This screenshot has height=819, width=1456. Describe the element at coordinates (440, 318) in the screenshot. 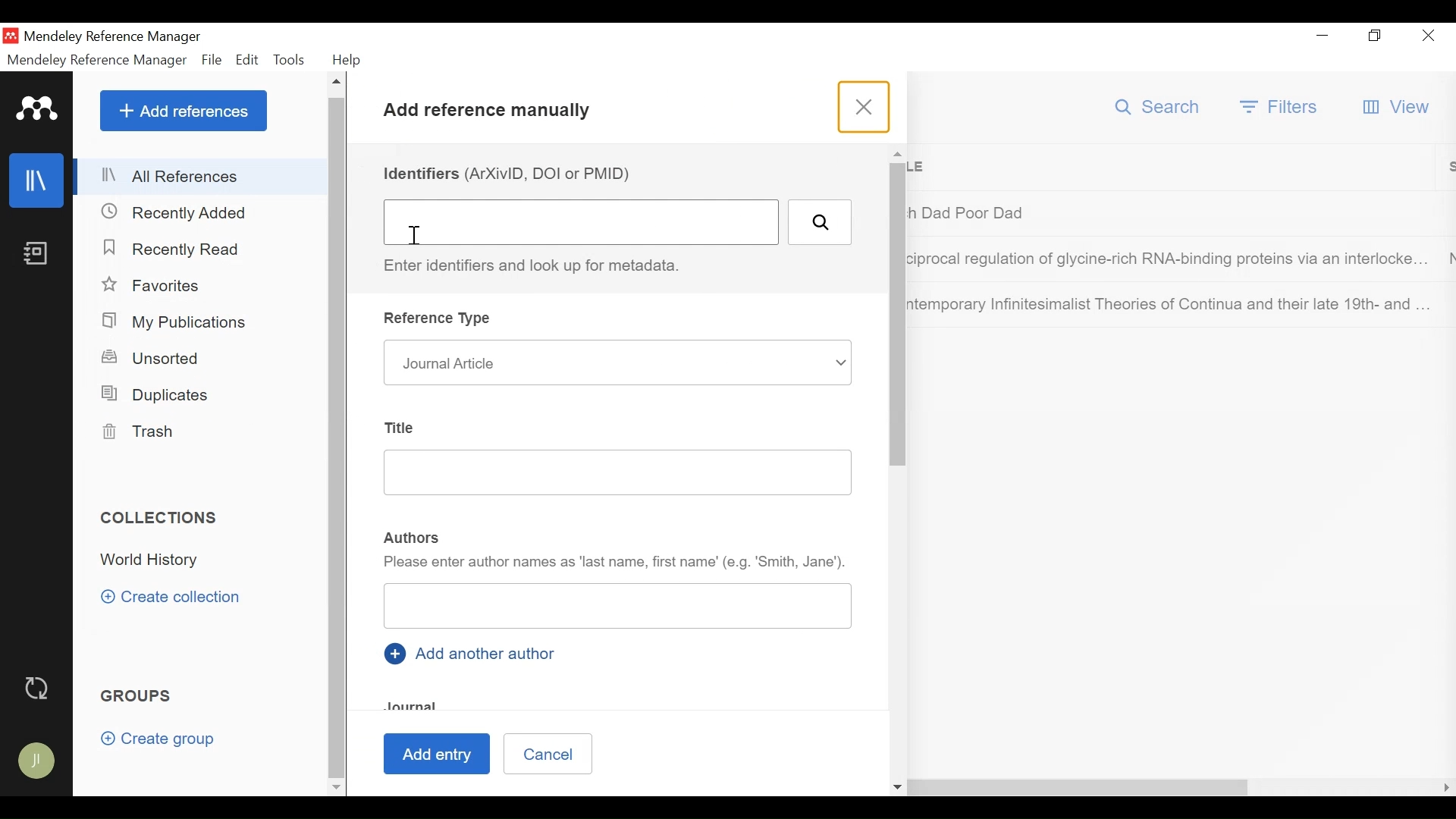

I see `Reference Type` at that location.